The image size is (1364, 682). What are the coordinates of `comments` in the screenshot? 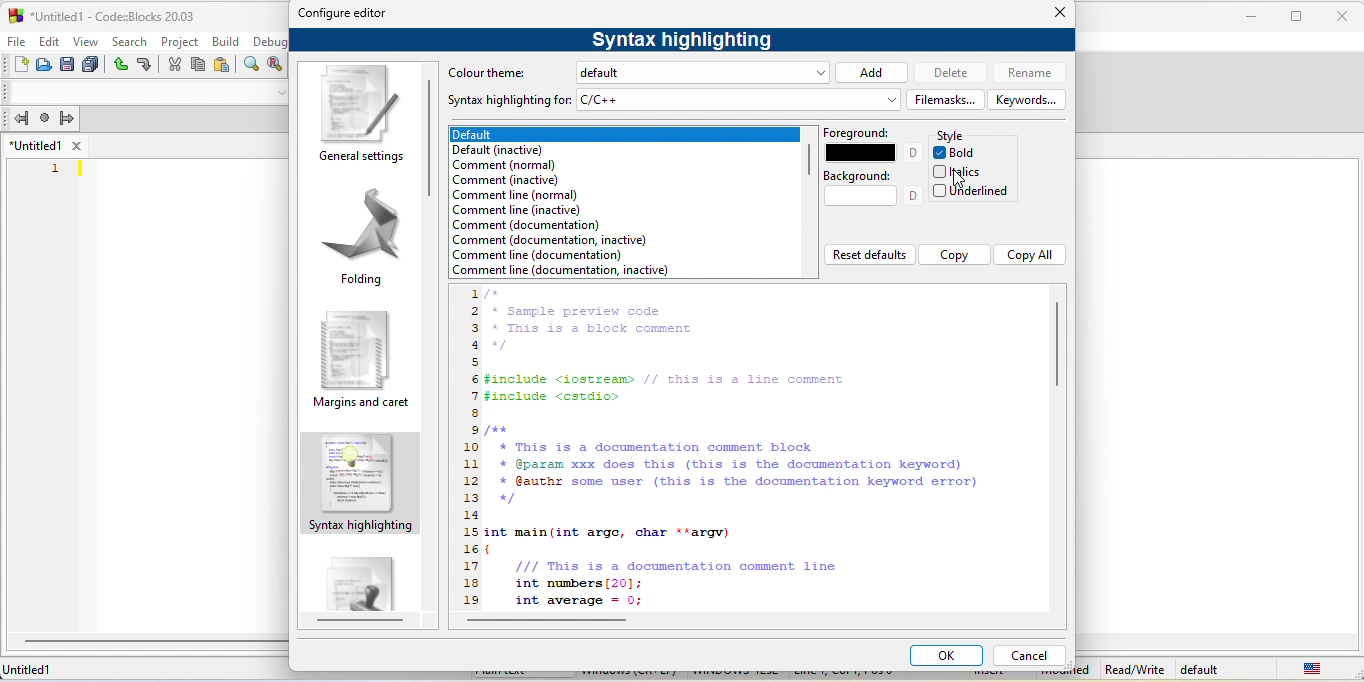 It's located at (733, 465).